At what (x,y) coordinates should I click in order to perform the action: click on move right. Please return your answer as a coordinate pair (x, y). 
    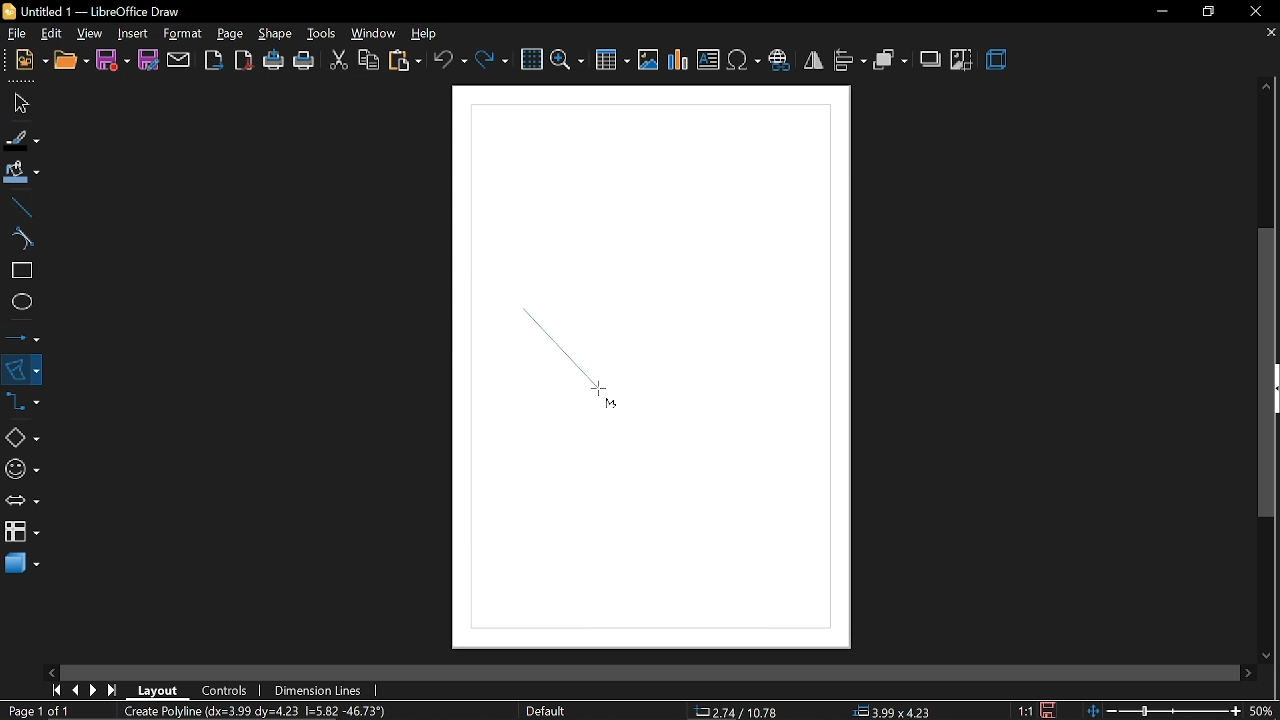
    Looking at the image, I should click on (1245, 670).